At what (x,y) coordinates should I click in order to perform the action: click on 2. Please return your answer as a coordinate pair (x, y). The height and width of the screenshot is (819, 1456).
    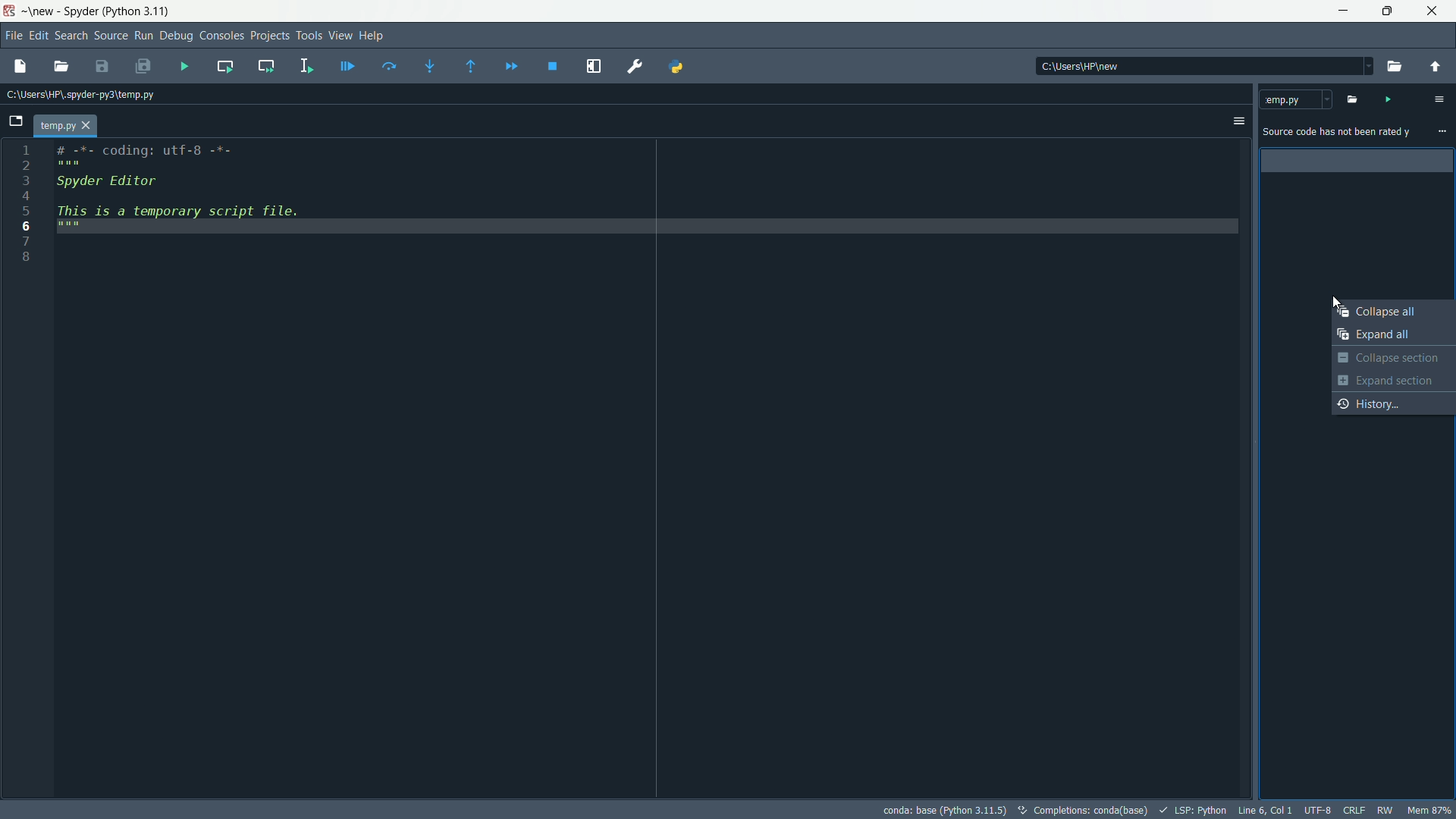
    Looking at the image, I should click on (26, 166).